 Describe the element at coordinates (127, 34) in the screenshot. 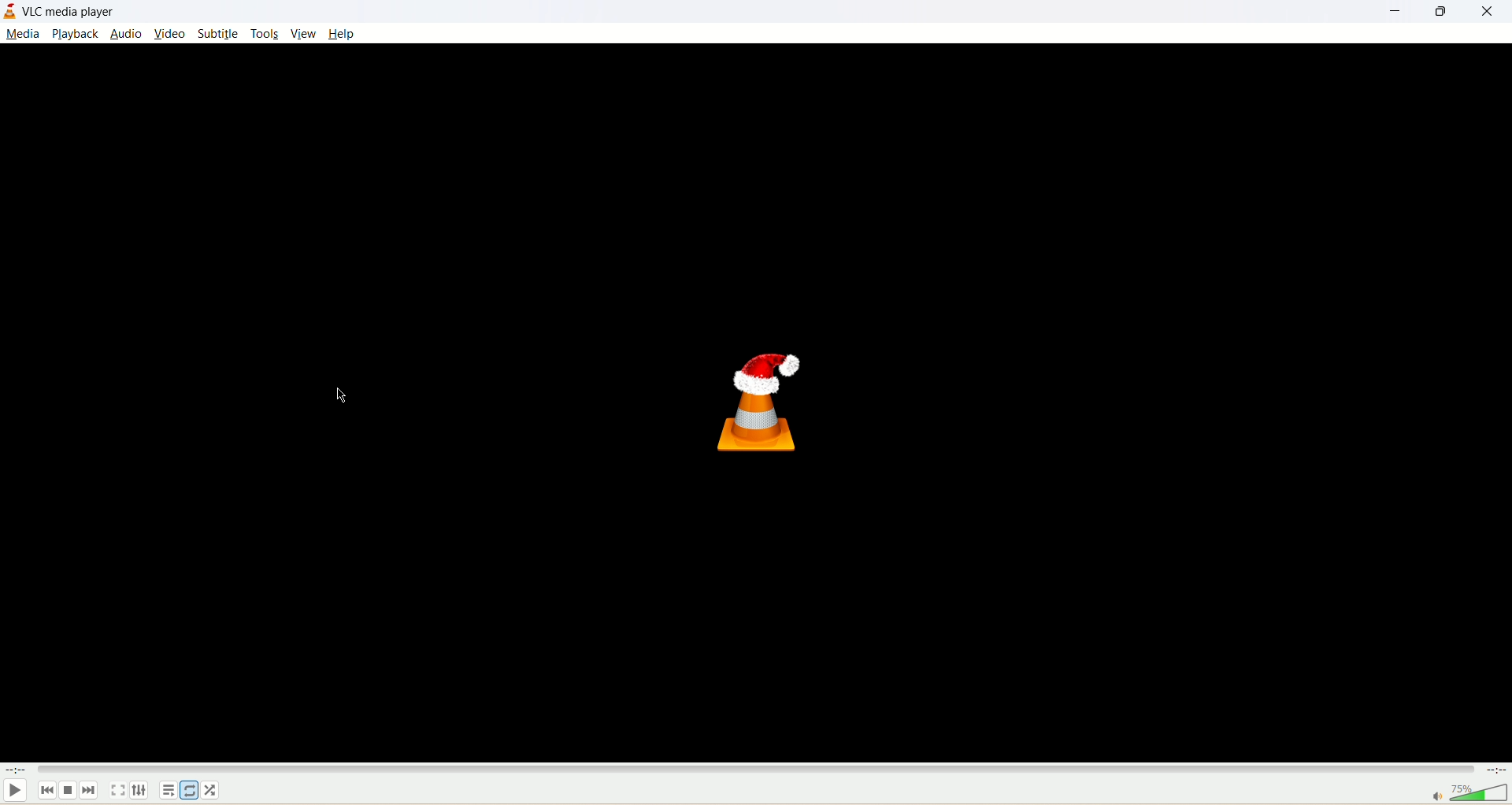

I see `audio` at that location.